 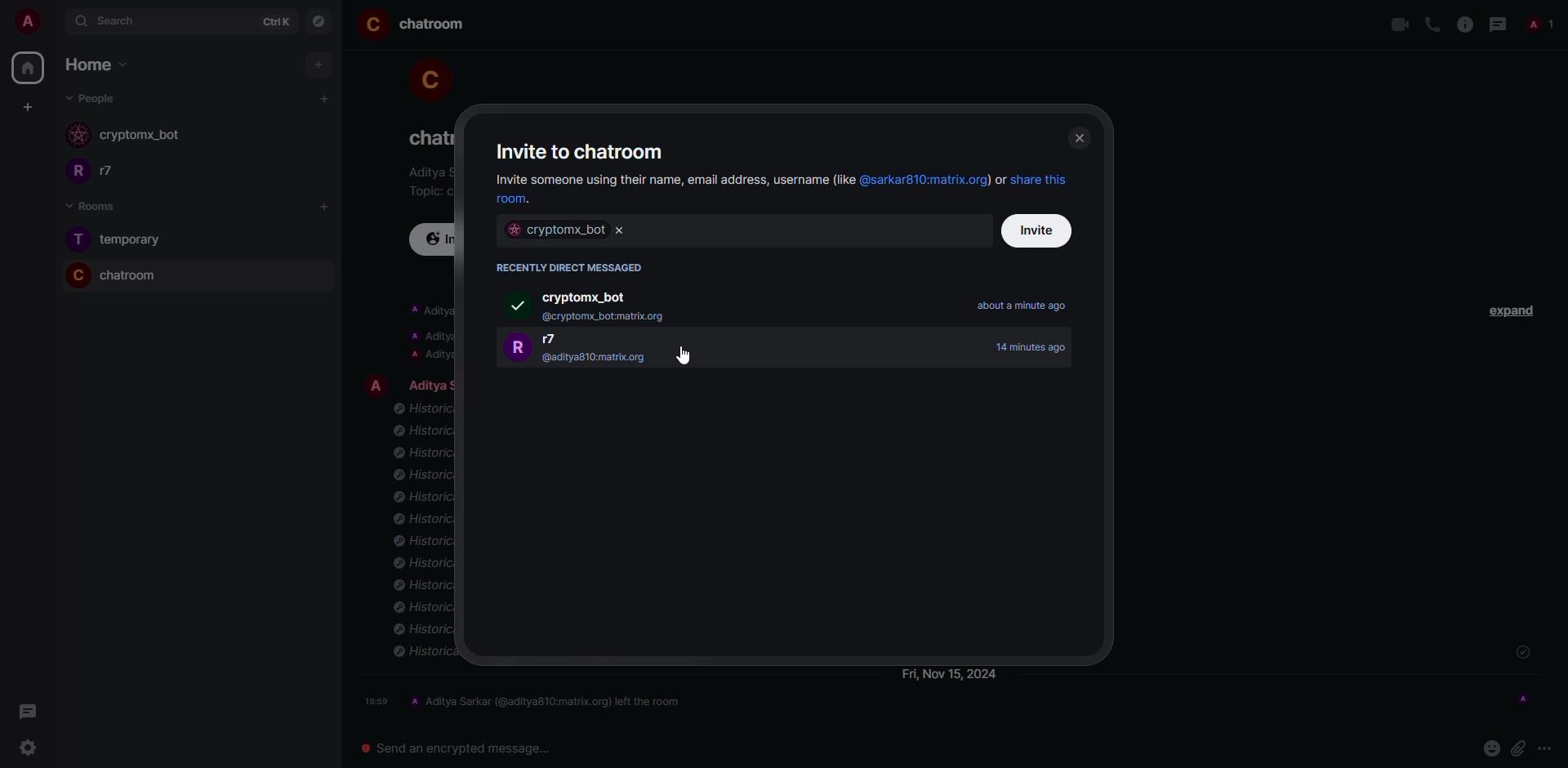 What do you see at coordinates (318, 65) in the screenshot?
I see `add` at bounding box center [318, 65].